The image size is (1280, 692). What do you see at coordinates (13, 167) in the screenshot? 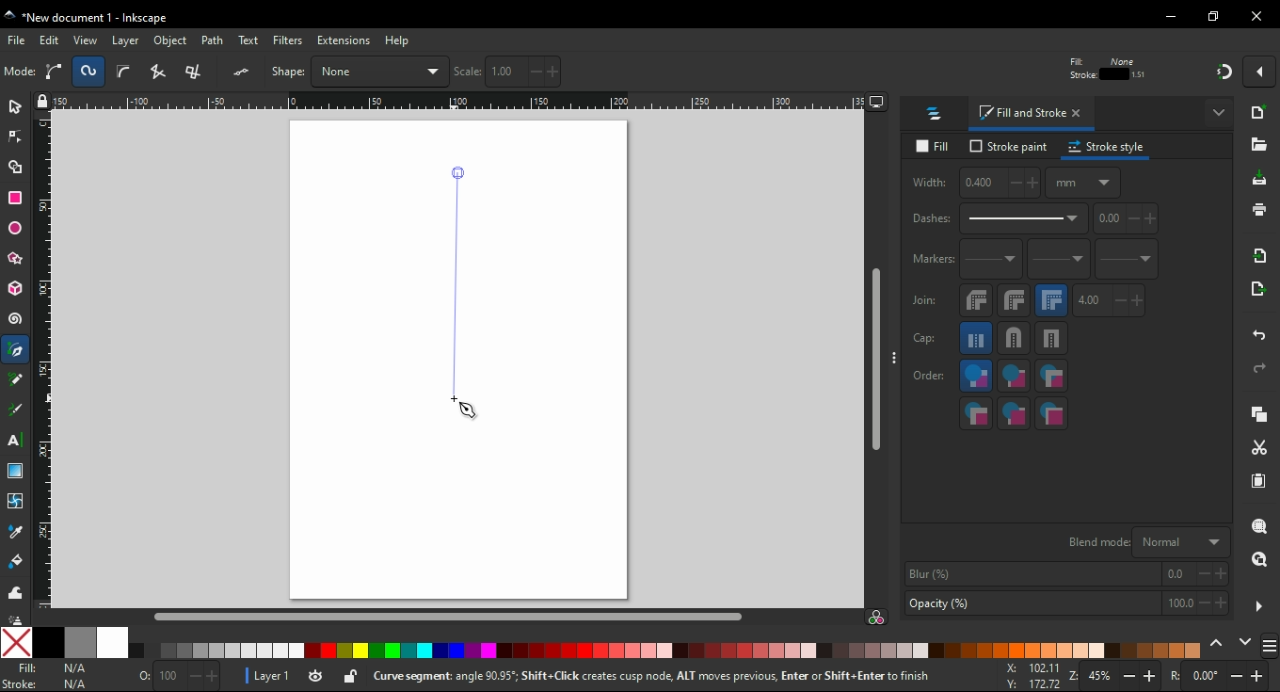
I see `shape builder tool` at bounding box center [13, 167].